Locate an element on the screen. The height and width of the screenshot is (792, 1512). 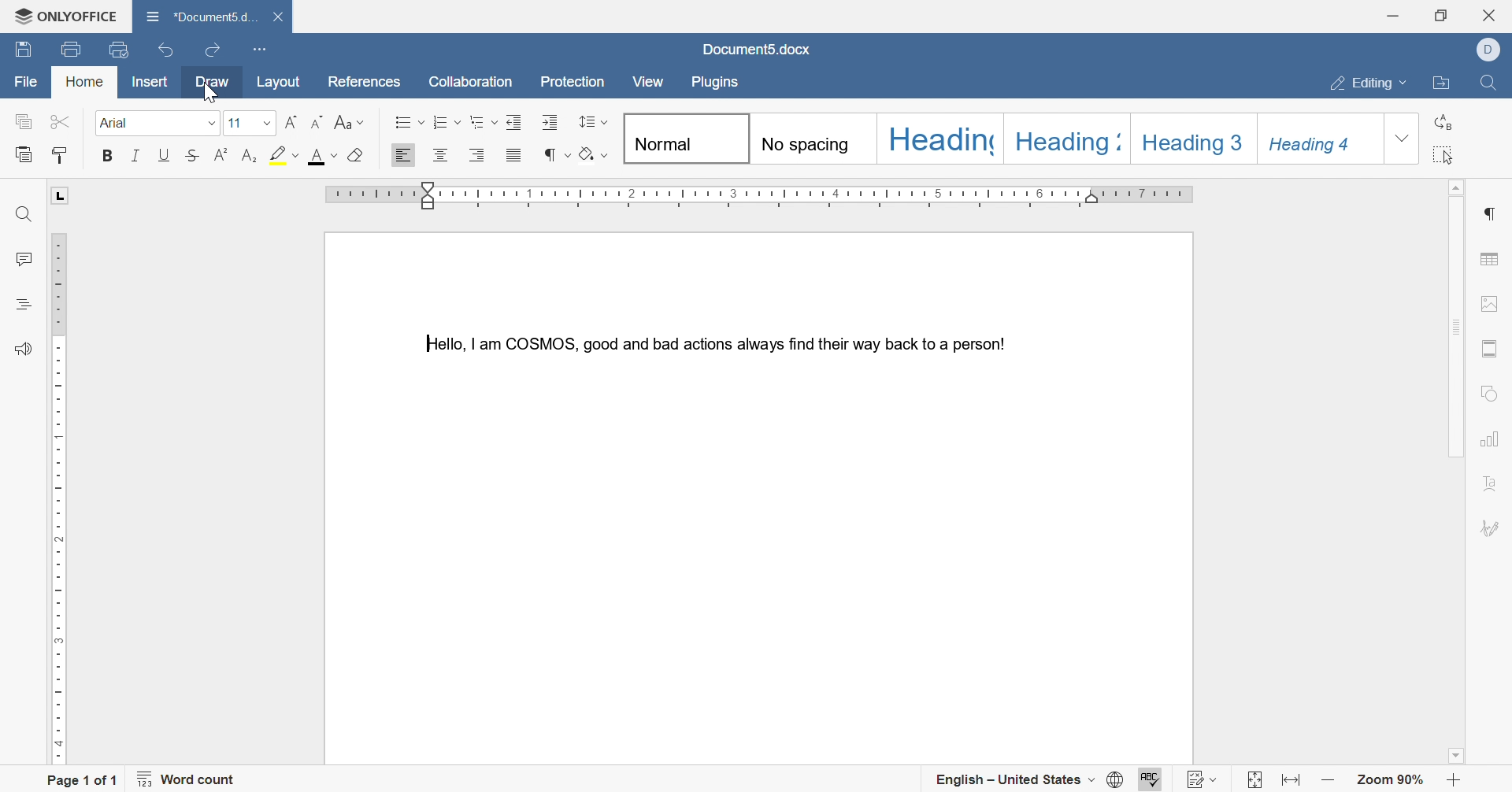
decrease indent is located at coordinates (516, 122).